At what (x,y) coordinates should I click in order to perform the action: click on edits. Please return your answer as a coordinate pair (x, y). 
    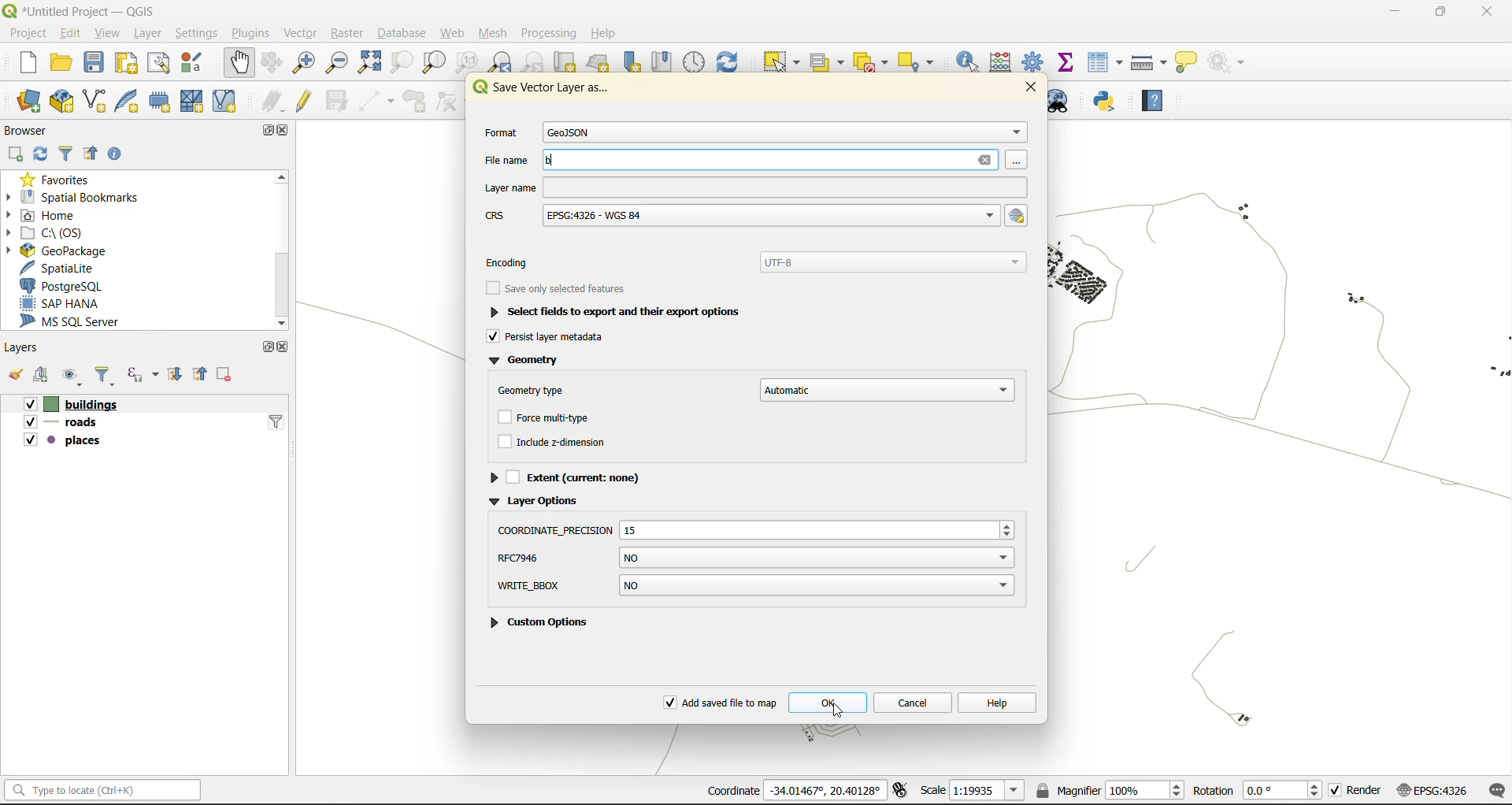
    Looking at the image, I should click on (273, 99).